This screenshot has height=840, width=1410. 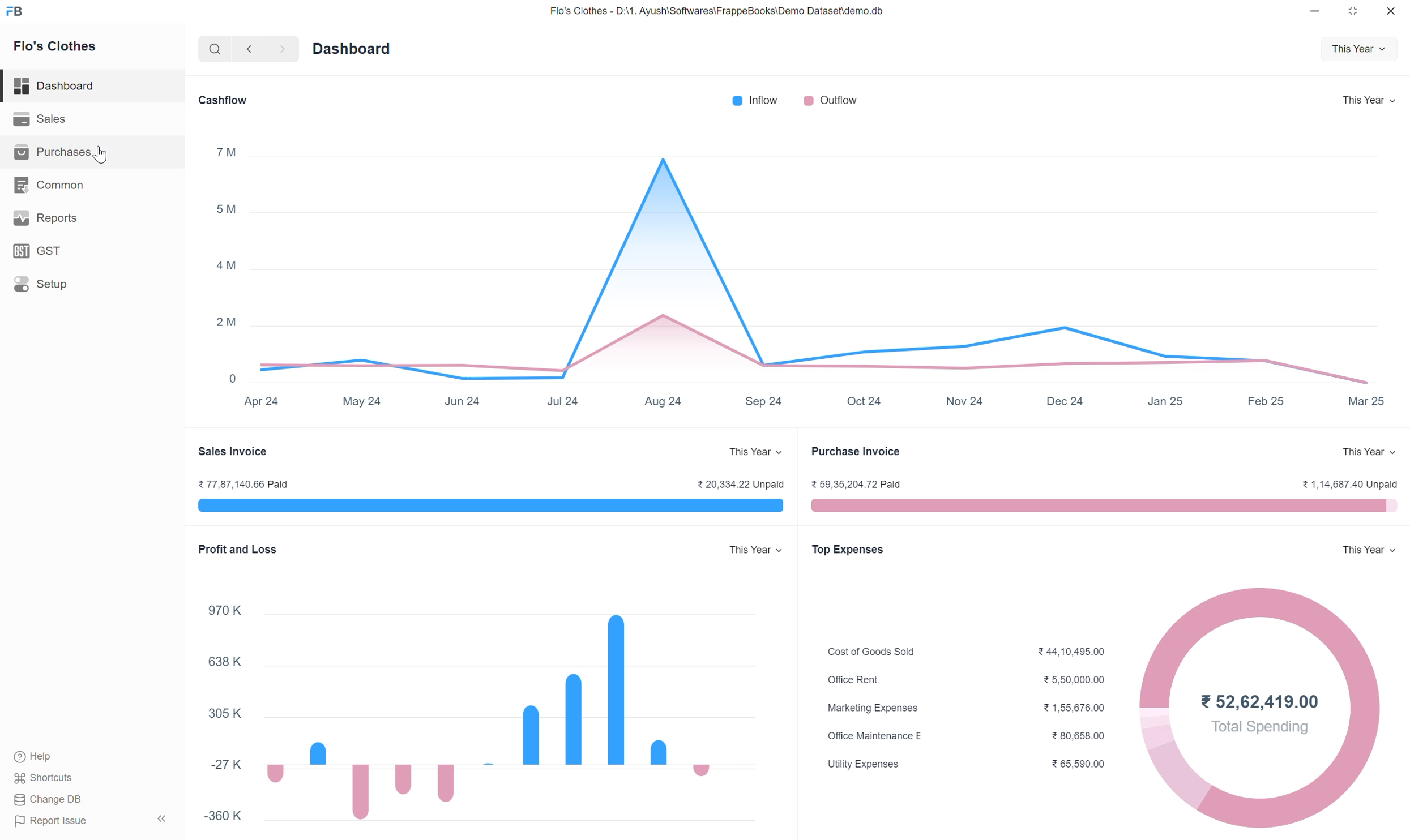 What do you see at coordinates (41, 250) in the screenshot?
I see `gst` at bounding box center [41, 250].